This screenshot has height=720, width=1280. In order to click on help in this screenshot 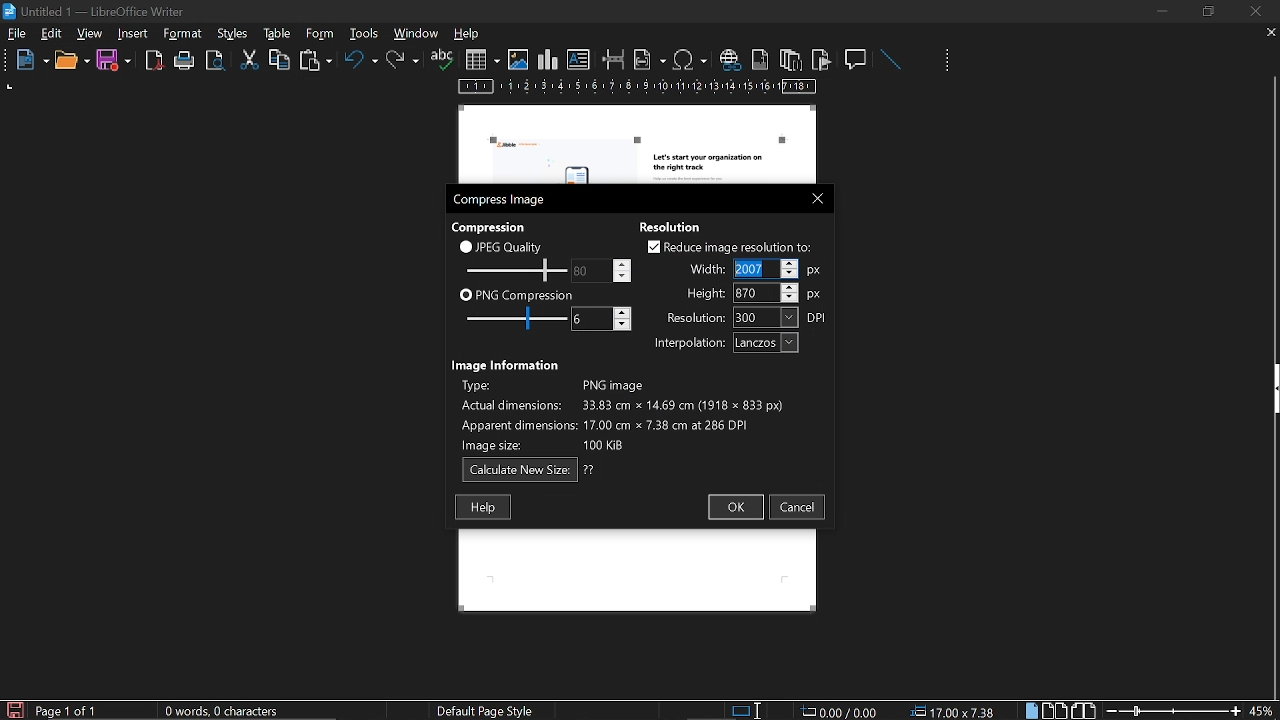, I will do `click(483, 507)`.